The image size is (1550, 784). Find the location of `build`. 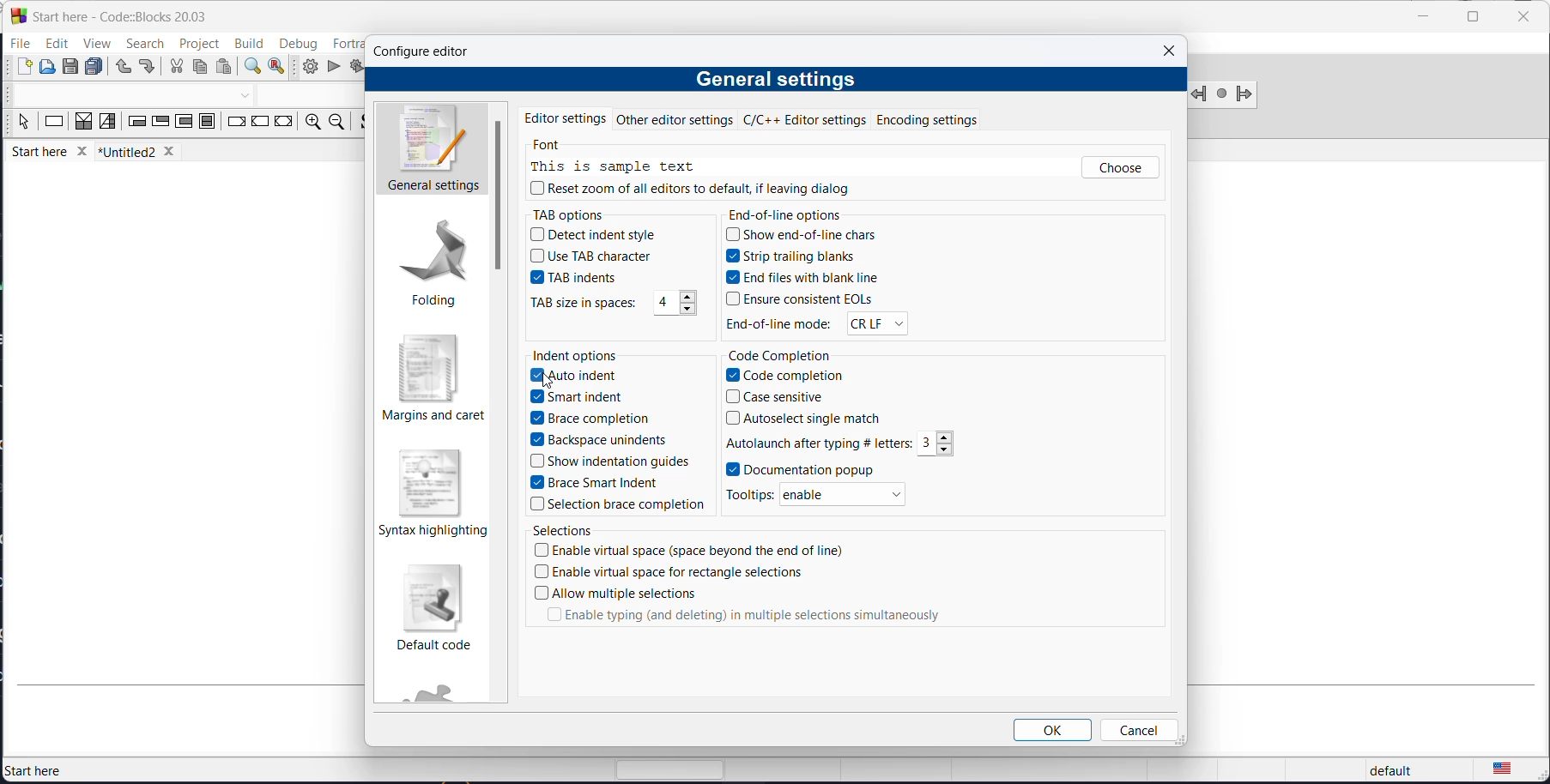

build is located at coordinates (306, 67).